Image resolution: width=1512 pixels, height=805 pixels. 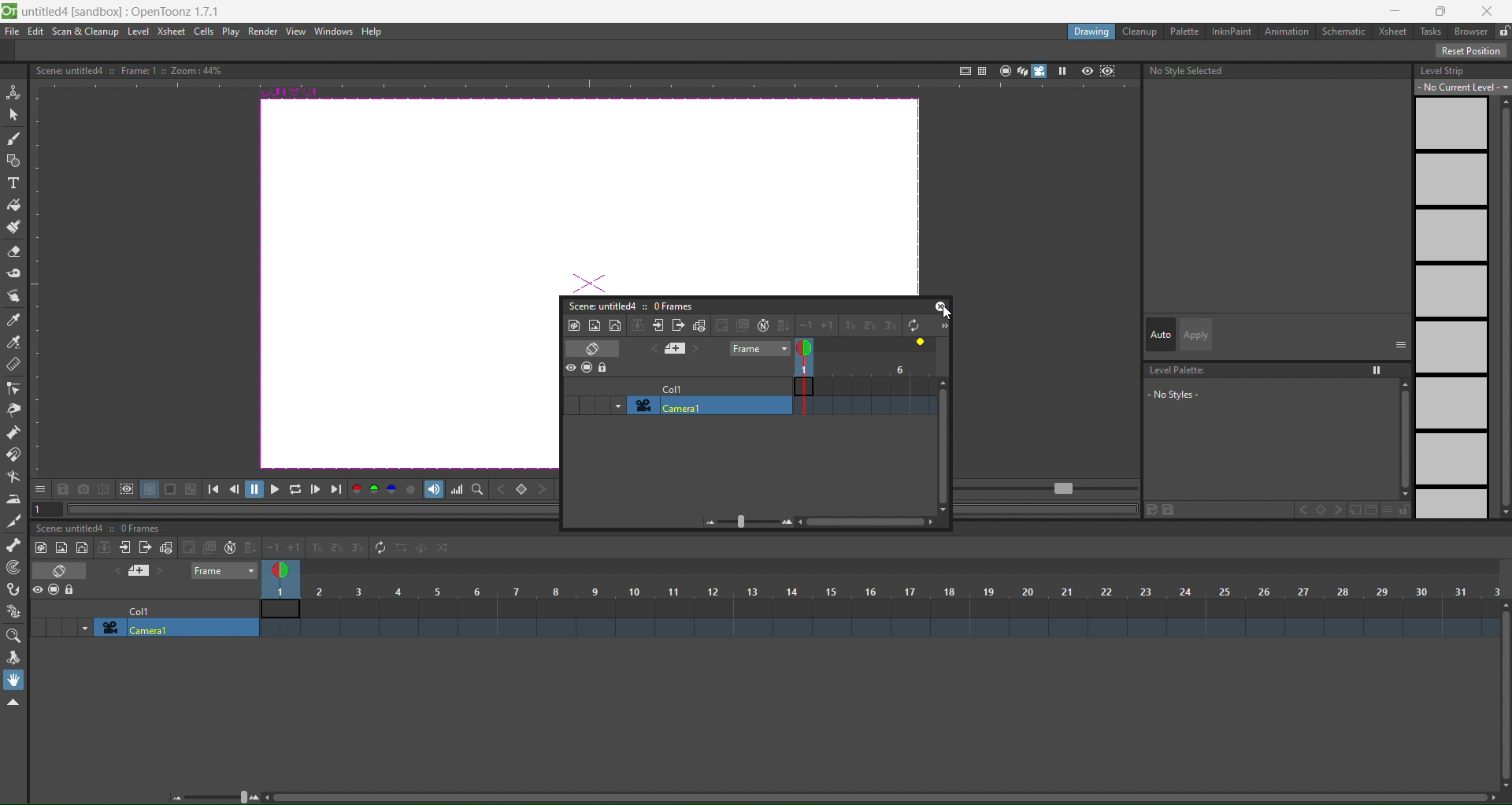 I want to click on palette, so click(x=1186, y=31).